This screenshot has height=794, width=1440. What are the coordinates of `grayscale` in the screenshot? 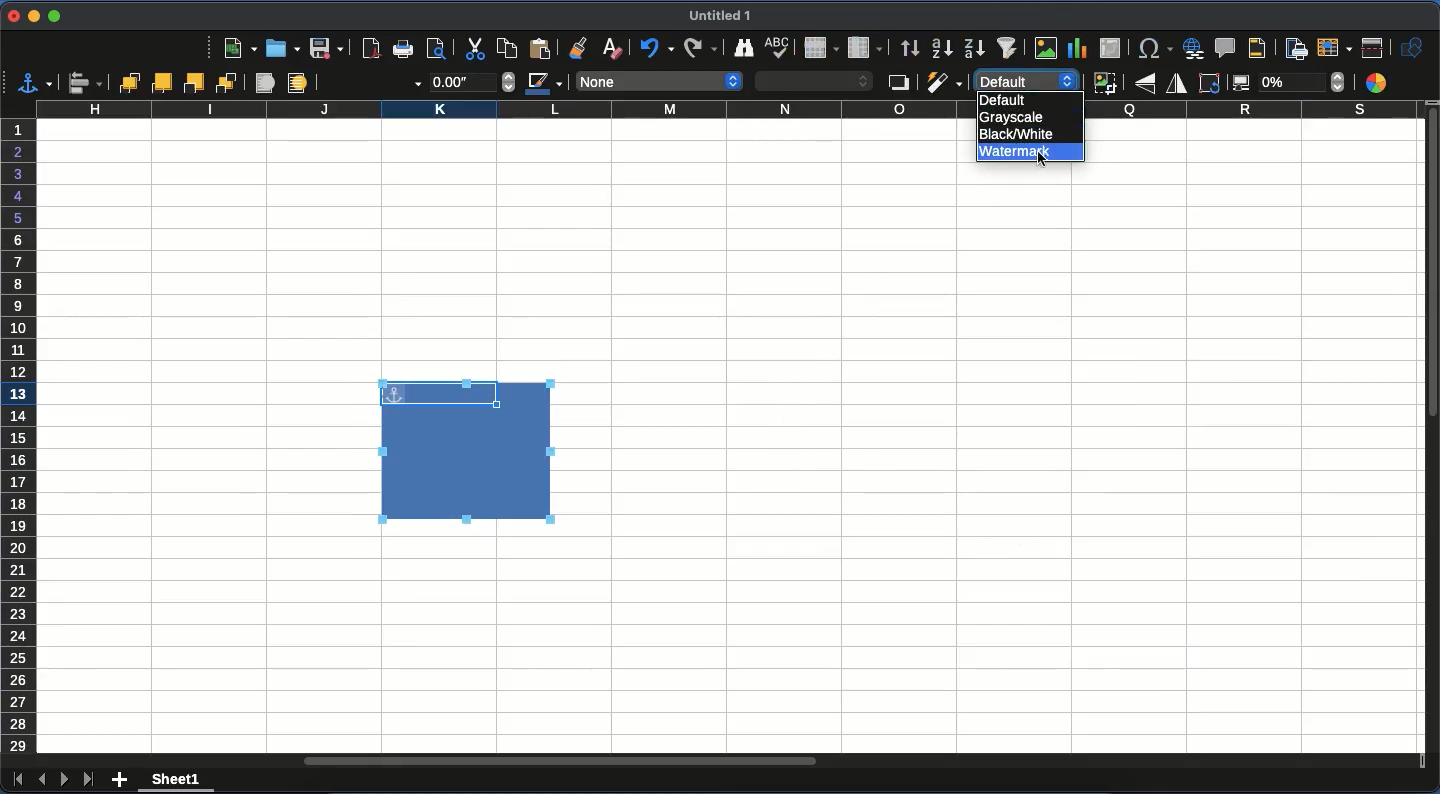 It's located at (1017, 116).